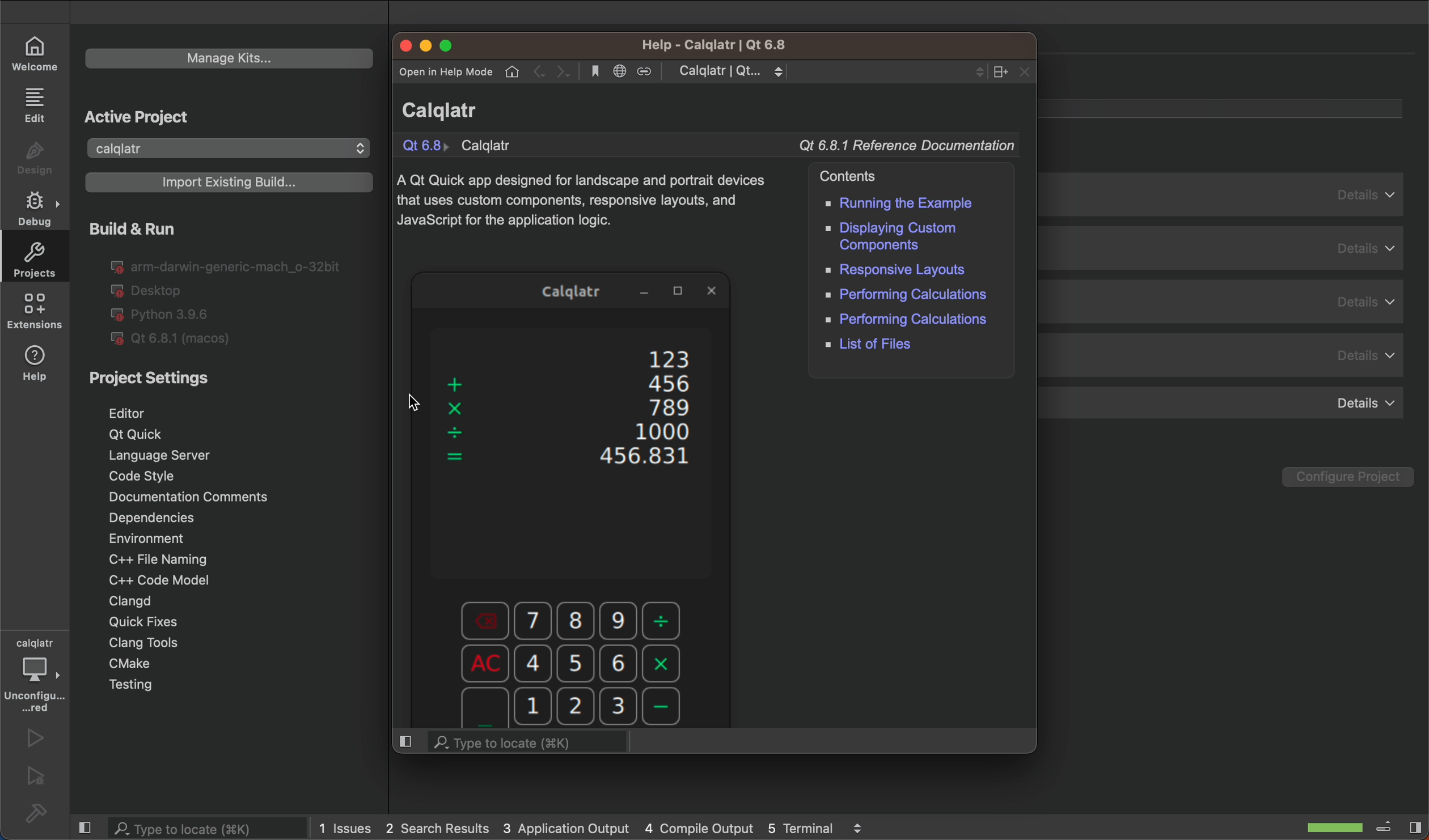  What do you see at coordinates (906, 202) in the screenshot?
I see `running example` at bounding box center [906, 202].